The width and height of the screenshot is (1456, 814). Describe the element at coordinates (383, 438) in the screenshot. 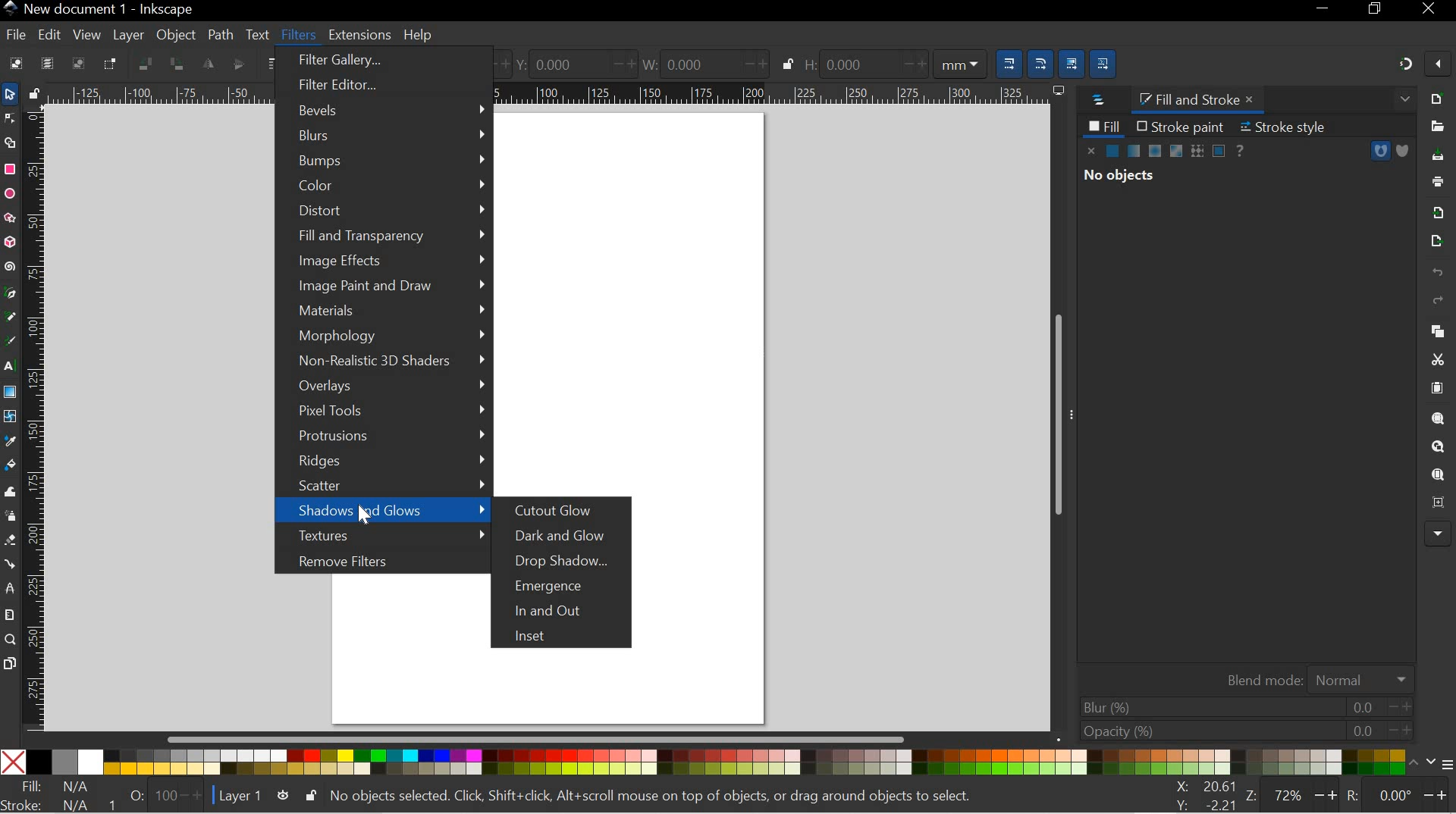

I see `PROTRUSIONS` at that location.